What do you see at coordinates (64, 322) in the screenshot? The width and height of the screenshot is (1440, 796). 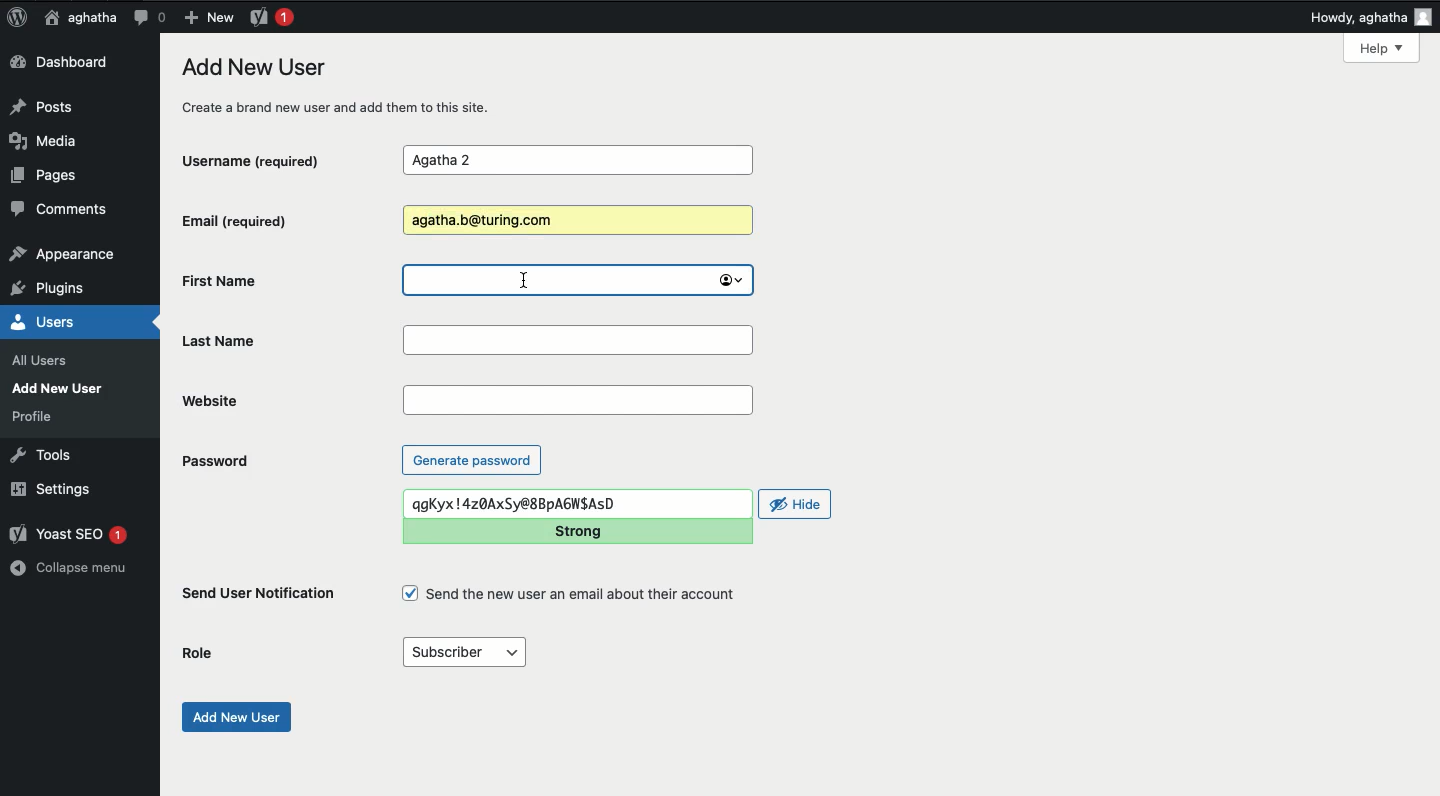 I see `Users` at bounding box center [64, 322].